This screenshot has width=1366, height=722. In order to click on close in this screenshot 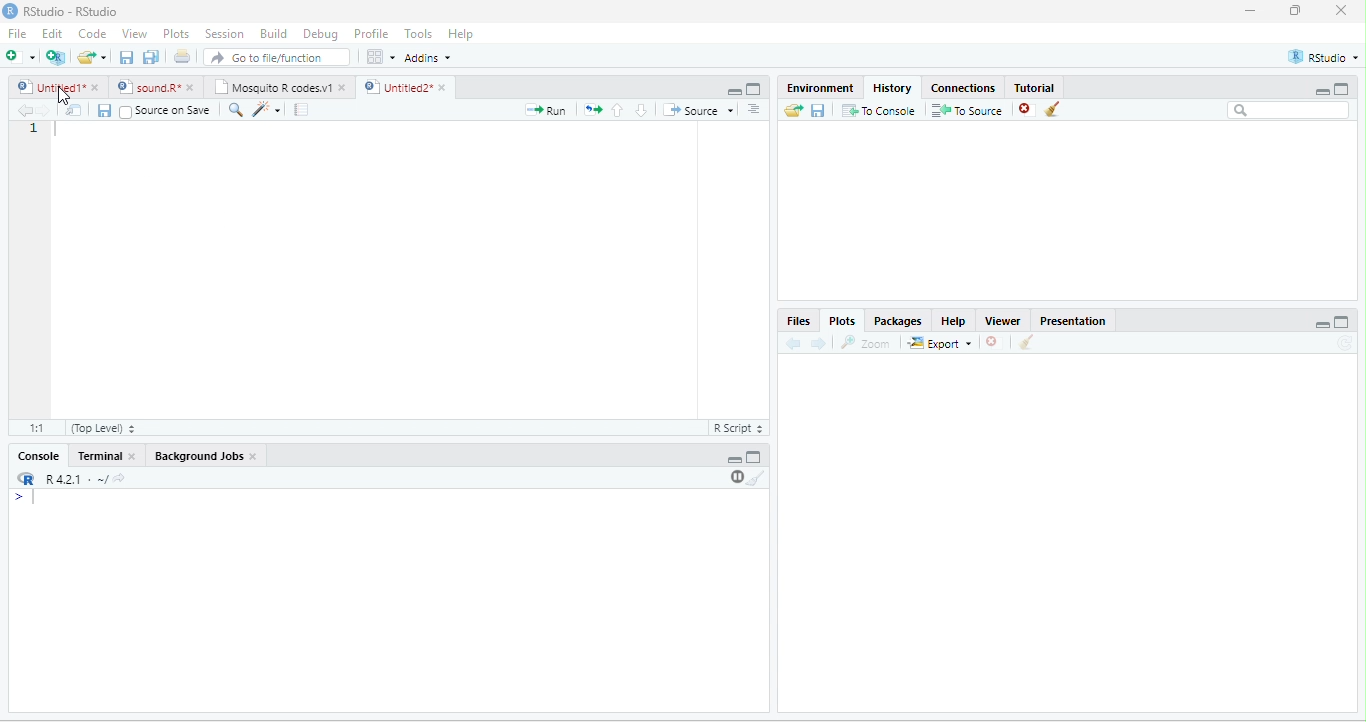, I will do `click(192, 88)`.